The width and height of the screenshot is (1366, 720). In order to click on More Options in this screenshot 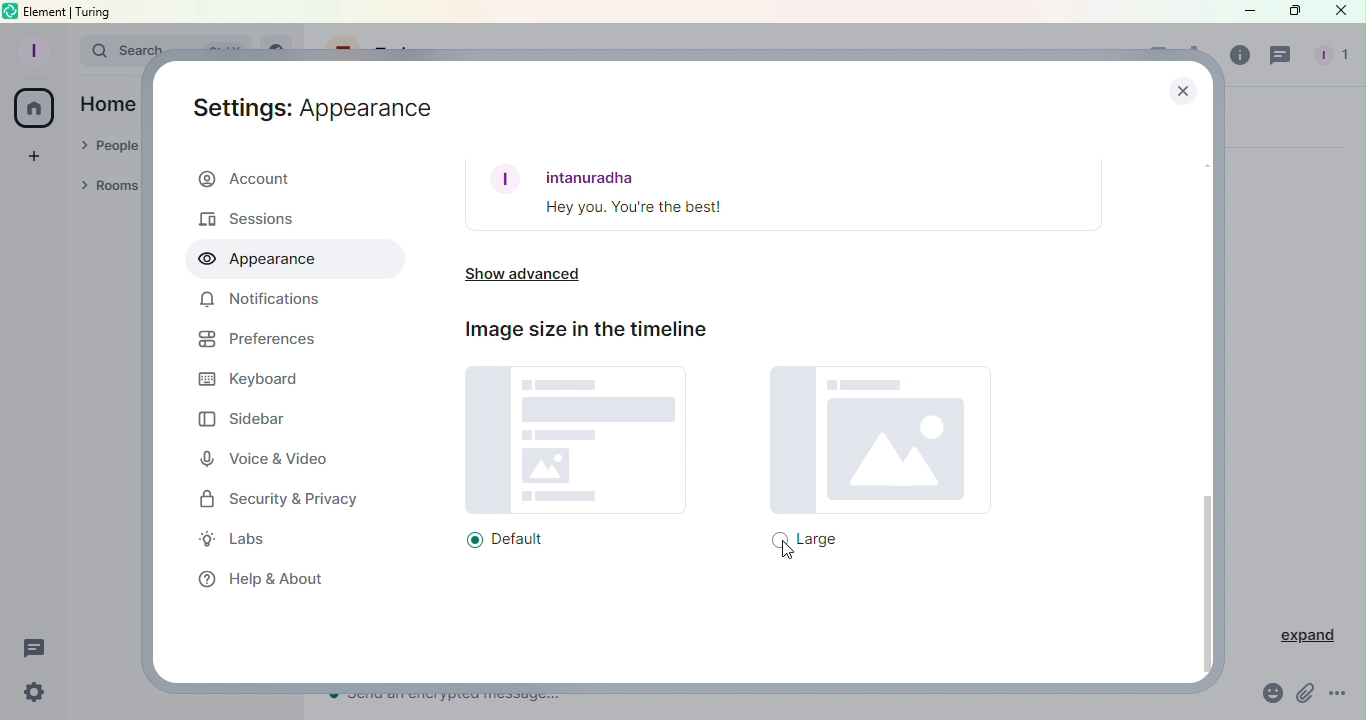, I will do `click(1340, 697)`.